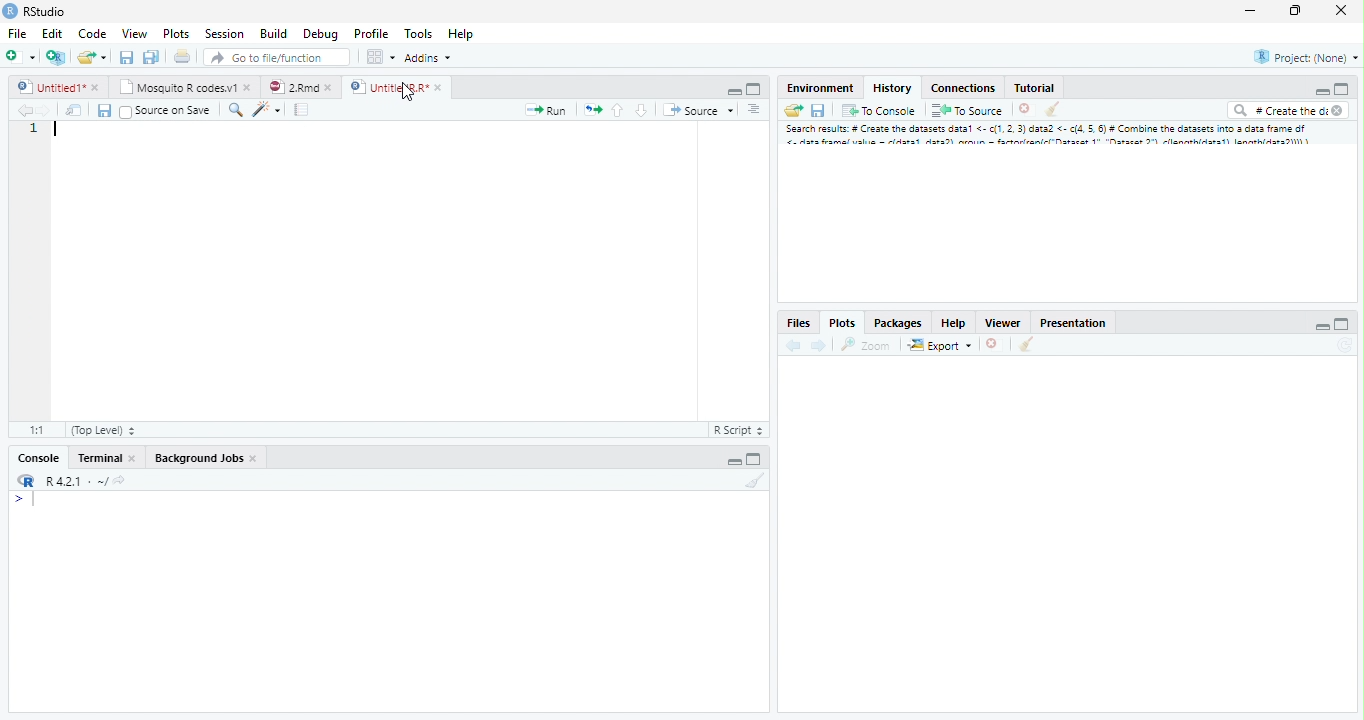  I want to click on Go to file/function, so click(275, 58).